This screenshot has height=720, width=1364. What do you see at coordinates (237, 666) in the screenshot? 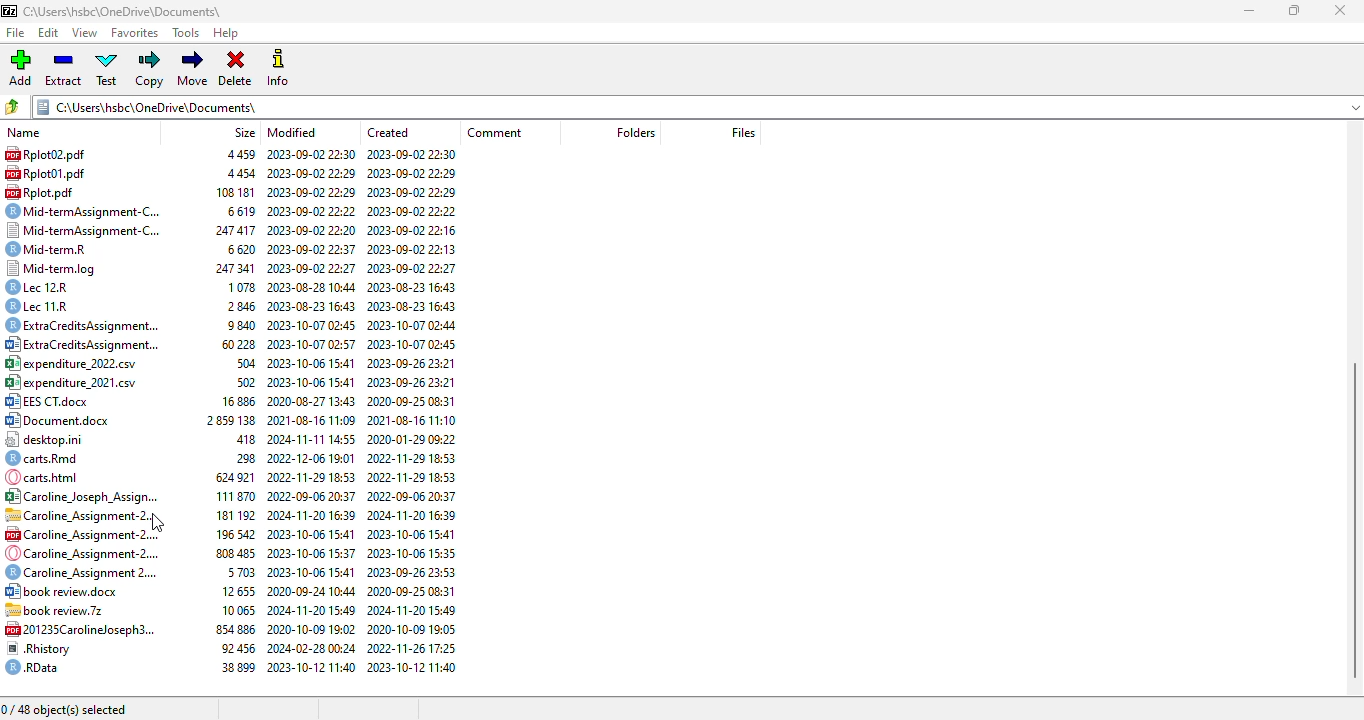
I see `38899` at bounding box center [237, 666].